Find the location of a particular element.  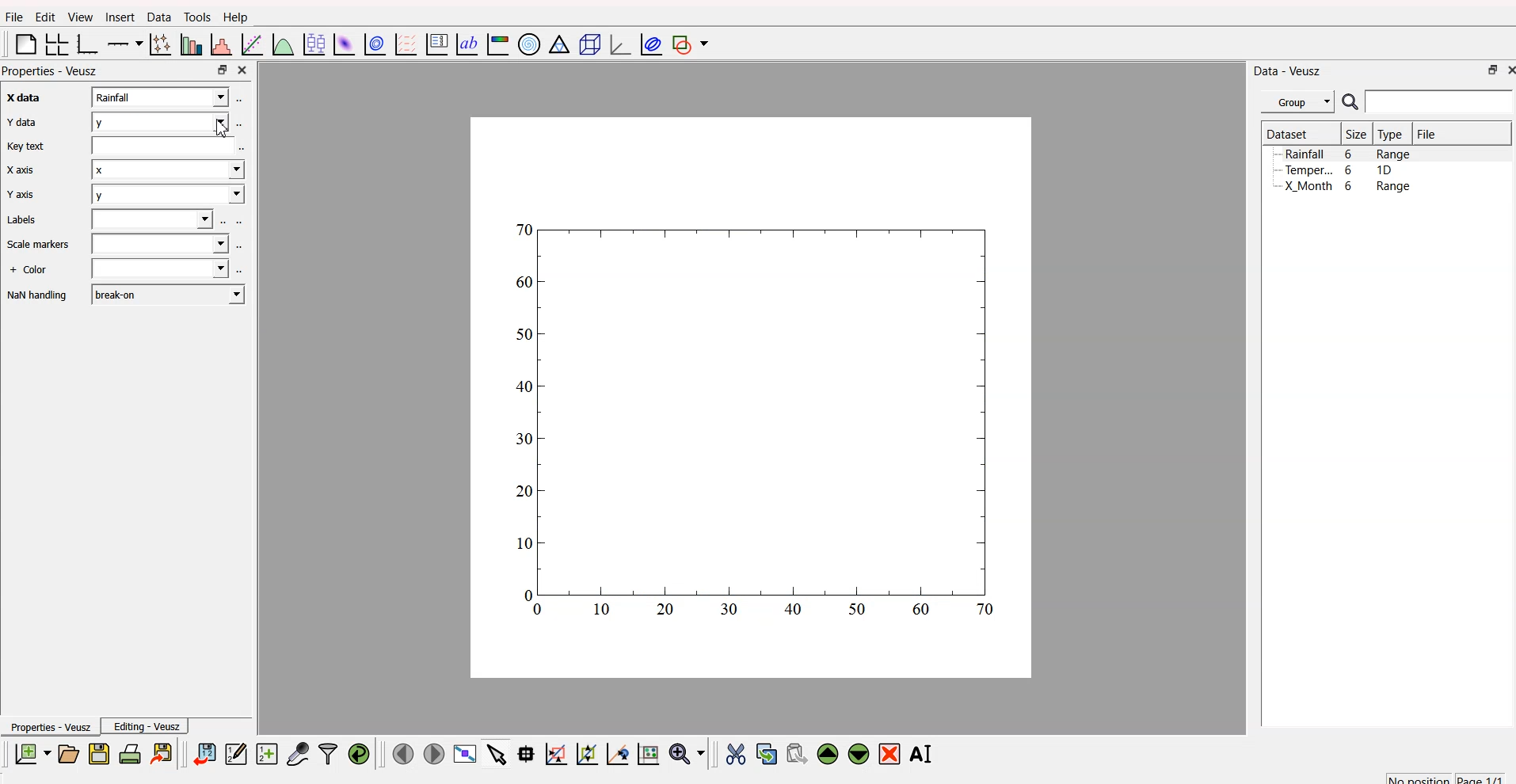

read datapoint on graph is located at coordinates (524, 753).